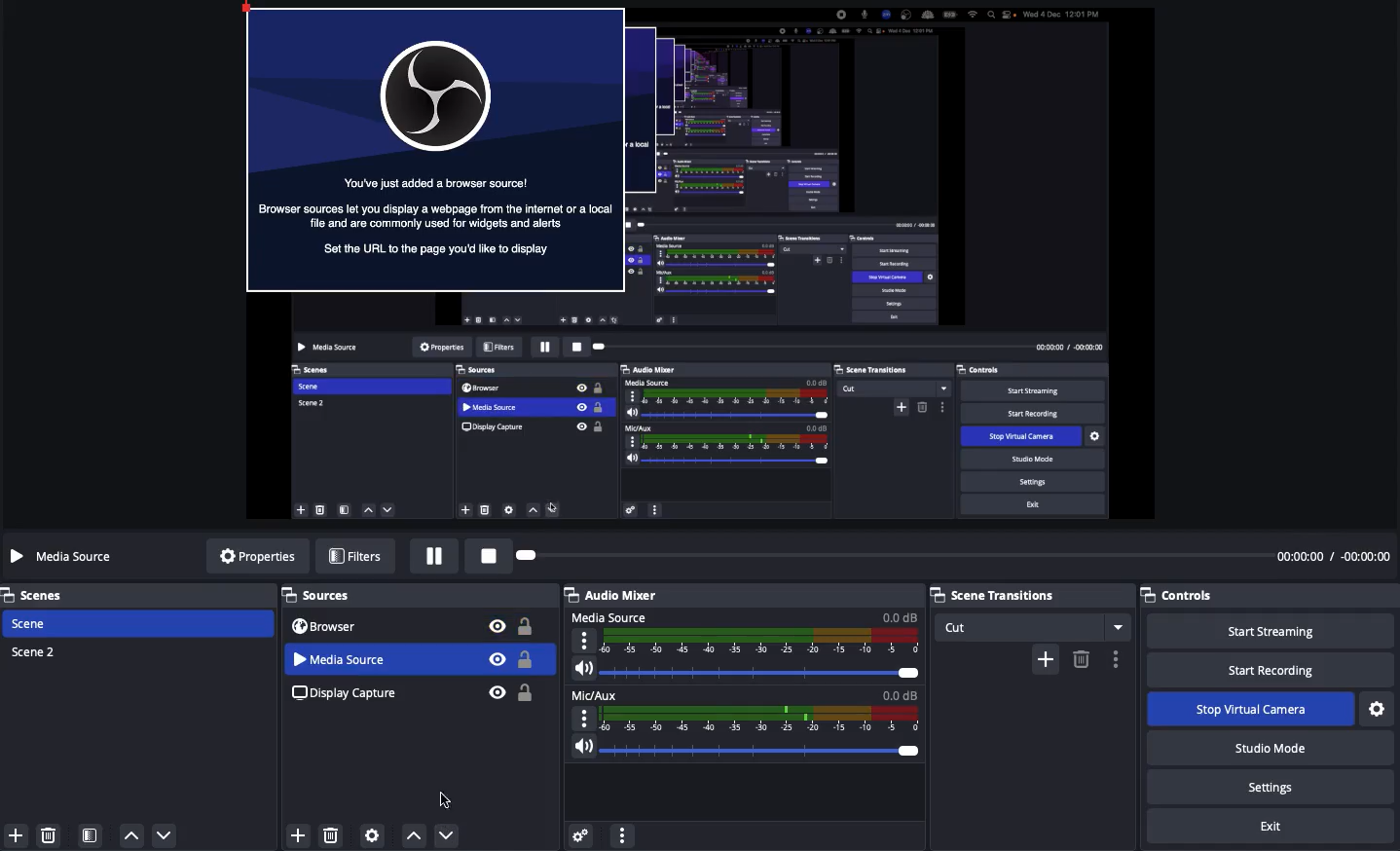 The width and height of the screenshot is (1400, 851). What do you see at coordinates (1113, 658) in the screenshot?
I see `Options` at bounding box center [1113, 658].